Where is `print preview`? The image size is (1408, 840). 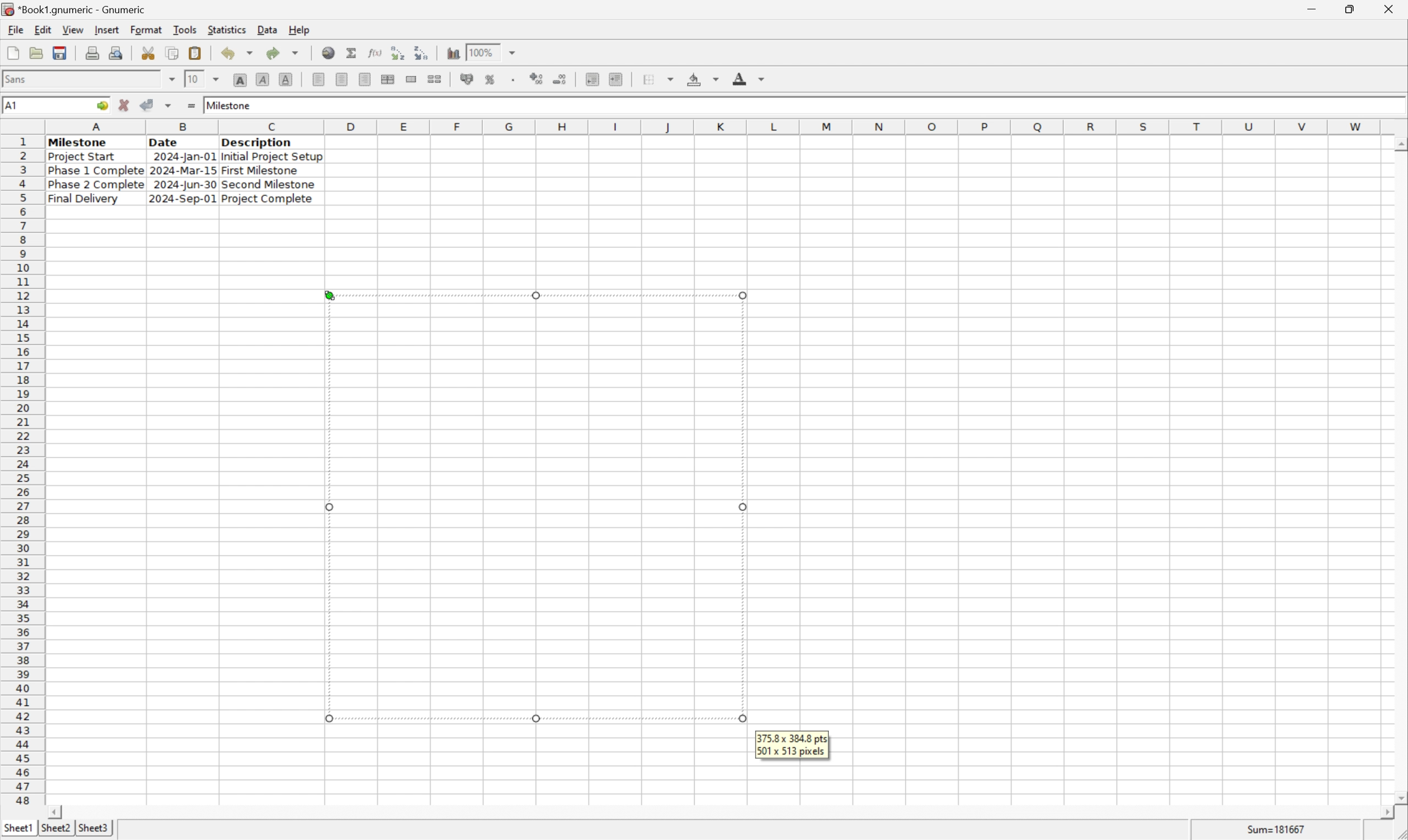 print preview is located at coordinates (92, 52).